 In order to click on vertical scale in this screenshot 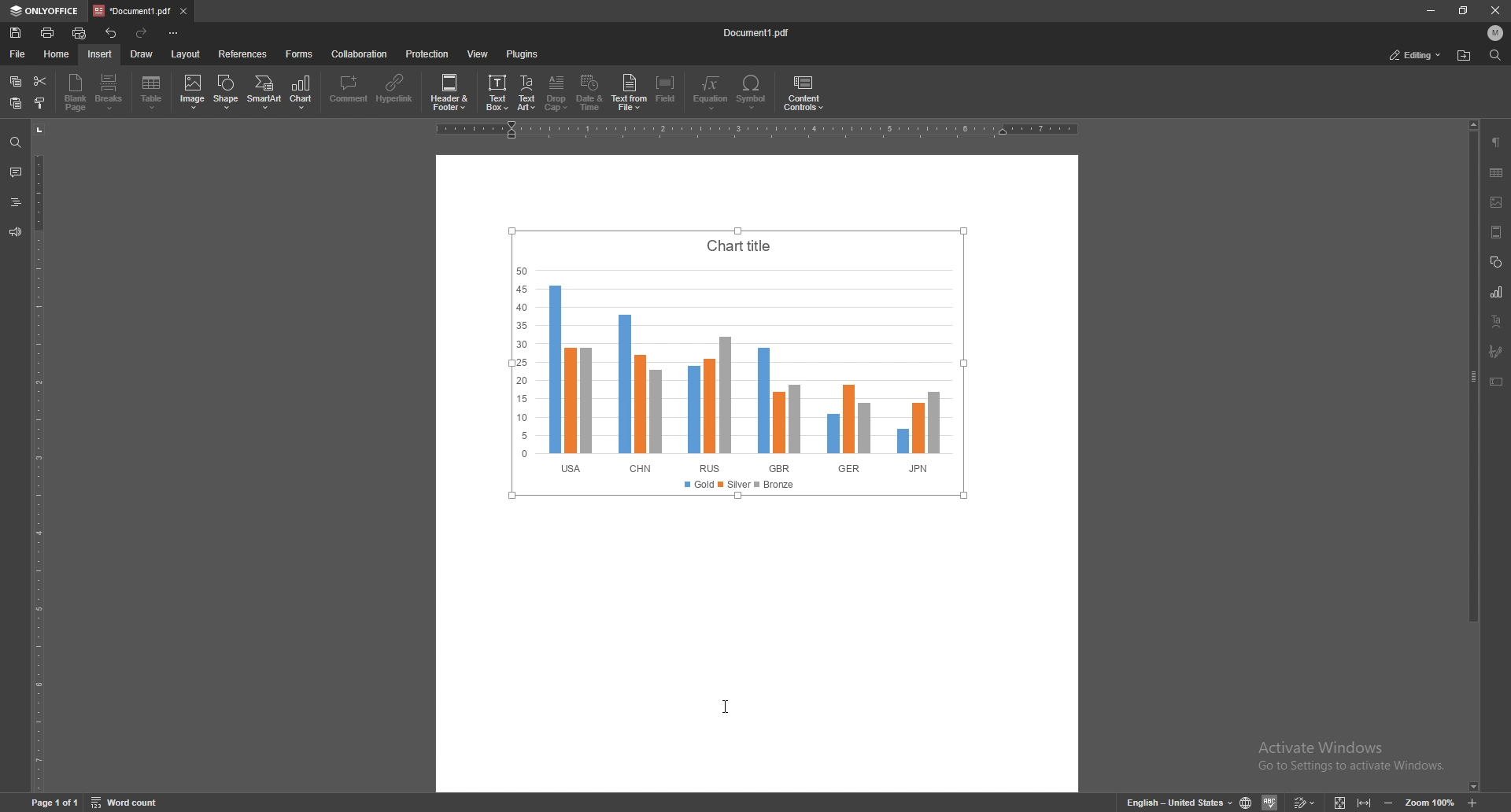, I will do `click(36, 458)`.